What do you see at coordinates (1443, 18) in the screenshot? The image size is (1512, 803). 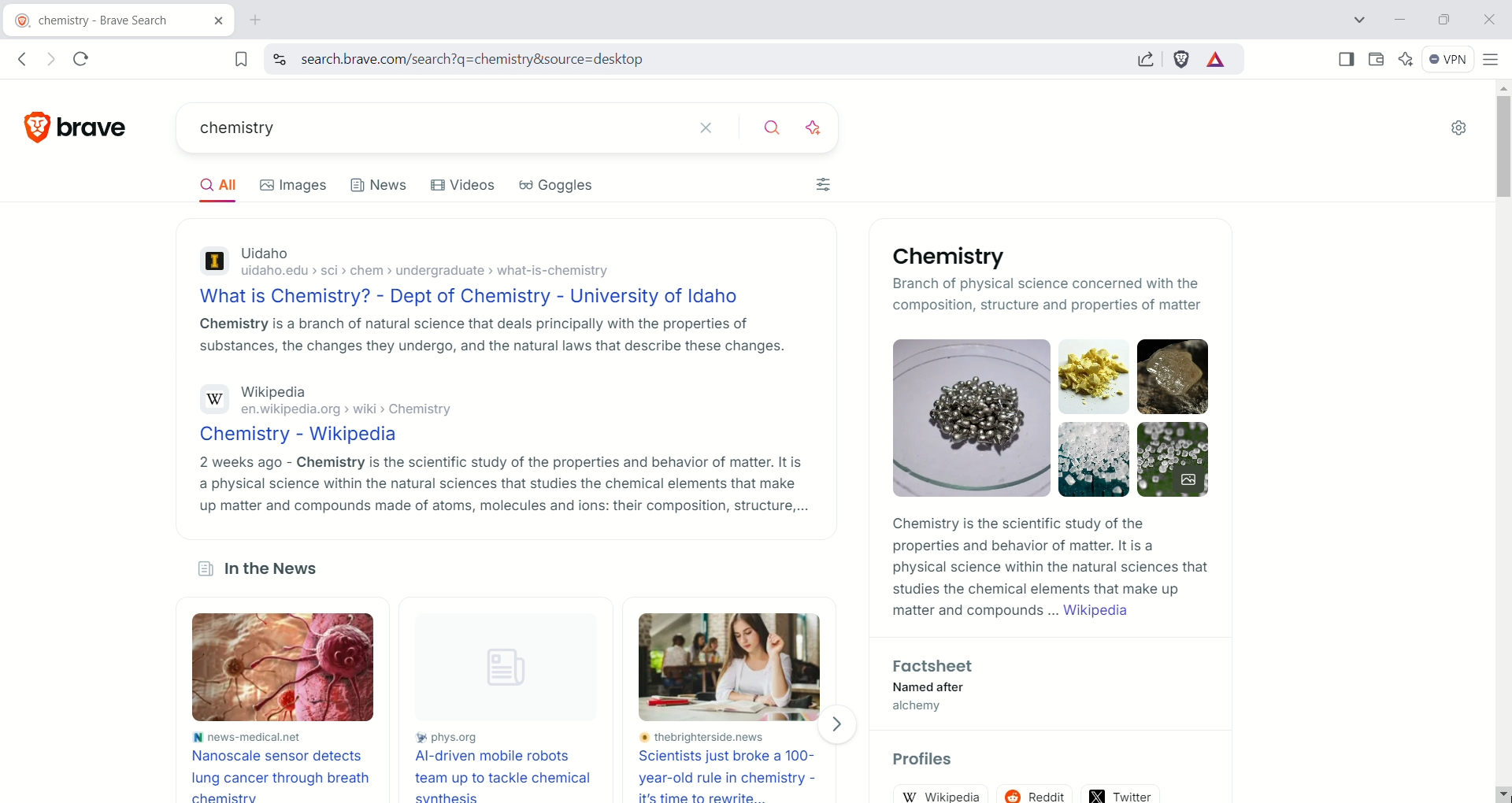 I see `maximize` at bounding box center [1443, 18].